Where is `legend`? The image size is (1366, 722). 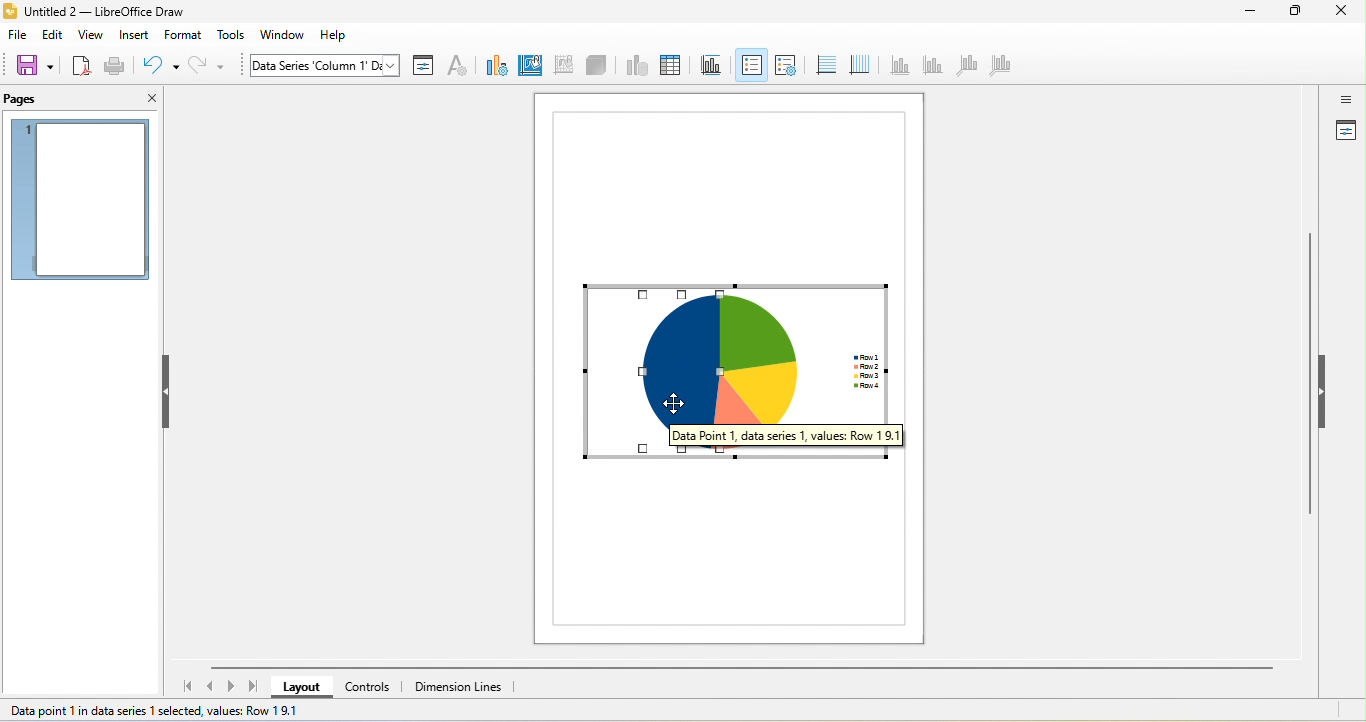
legend is located at coordinates (785, 64).